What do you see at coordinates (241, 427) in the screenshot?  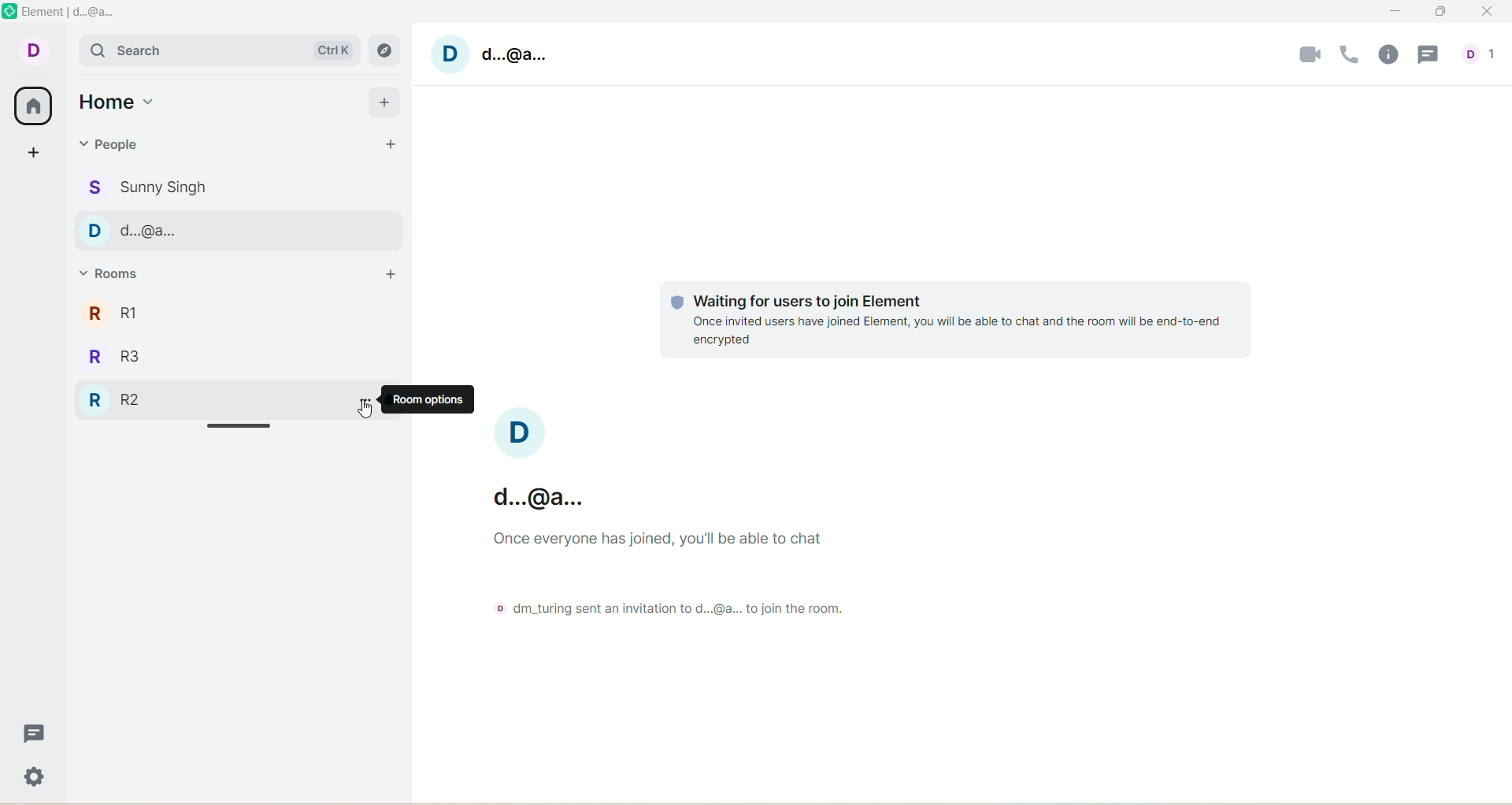 I see `drag` at bounding box center [241, 427].